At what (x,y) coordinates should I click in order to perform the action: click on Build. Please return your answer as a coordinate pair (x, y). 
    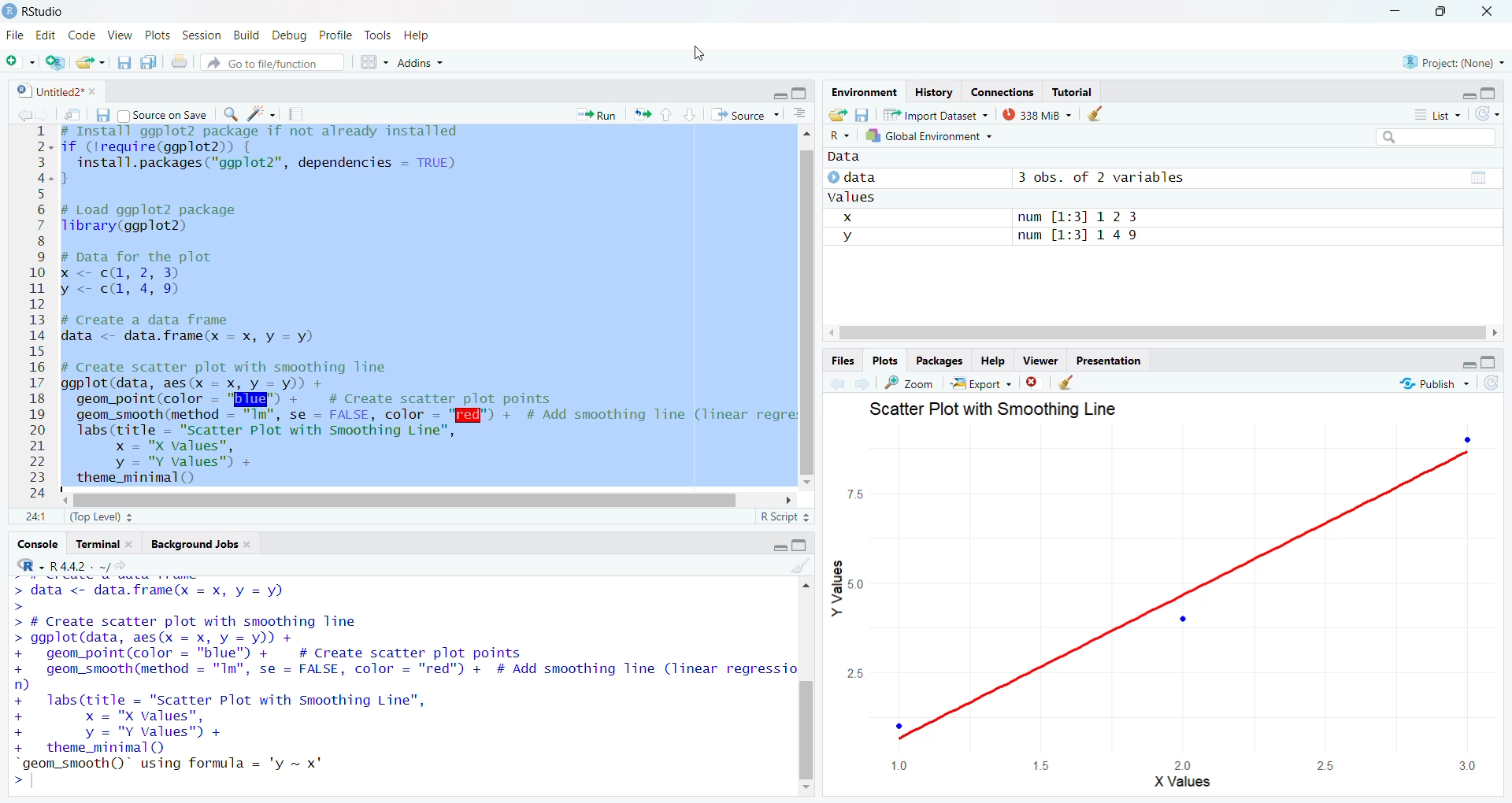
    Looking at the image, I should click on (247, 35).